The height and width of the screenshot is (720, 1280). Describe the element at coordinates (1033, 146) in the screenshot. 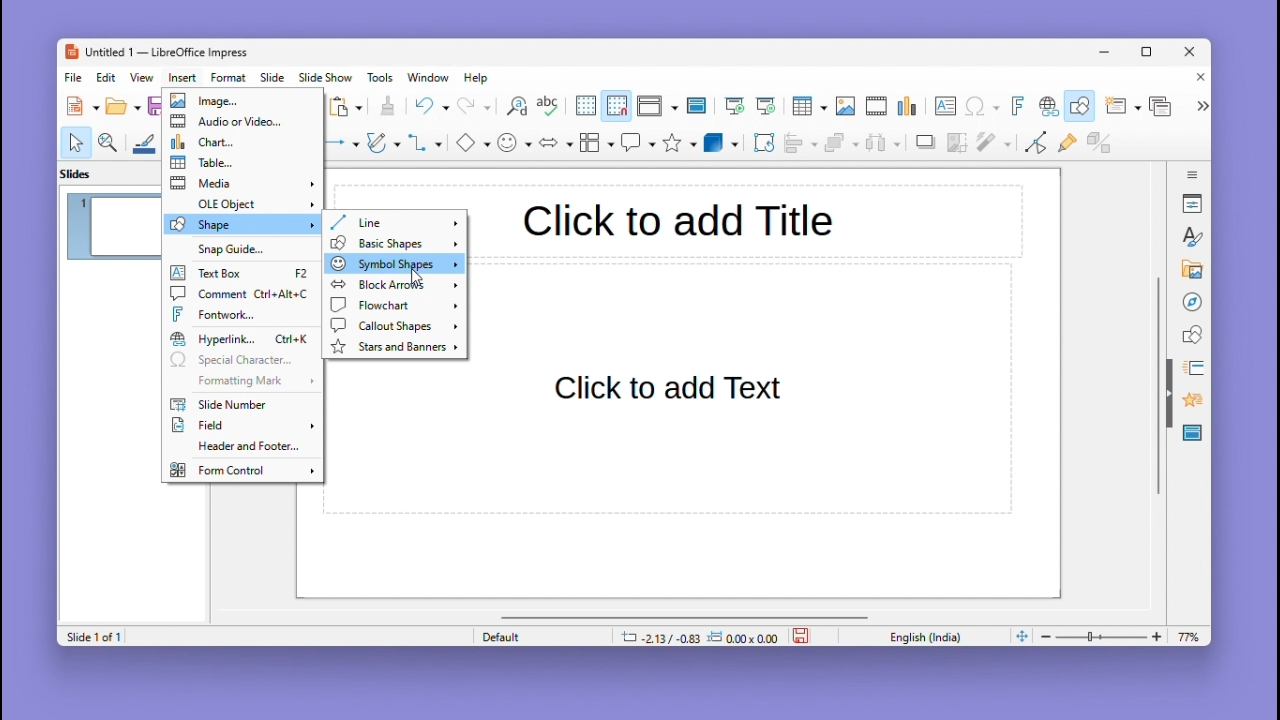

I see `Toggle point` at that location.